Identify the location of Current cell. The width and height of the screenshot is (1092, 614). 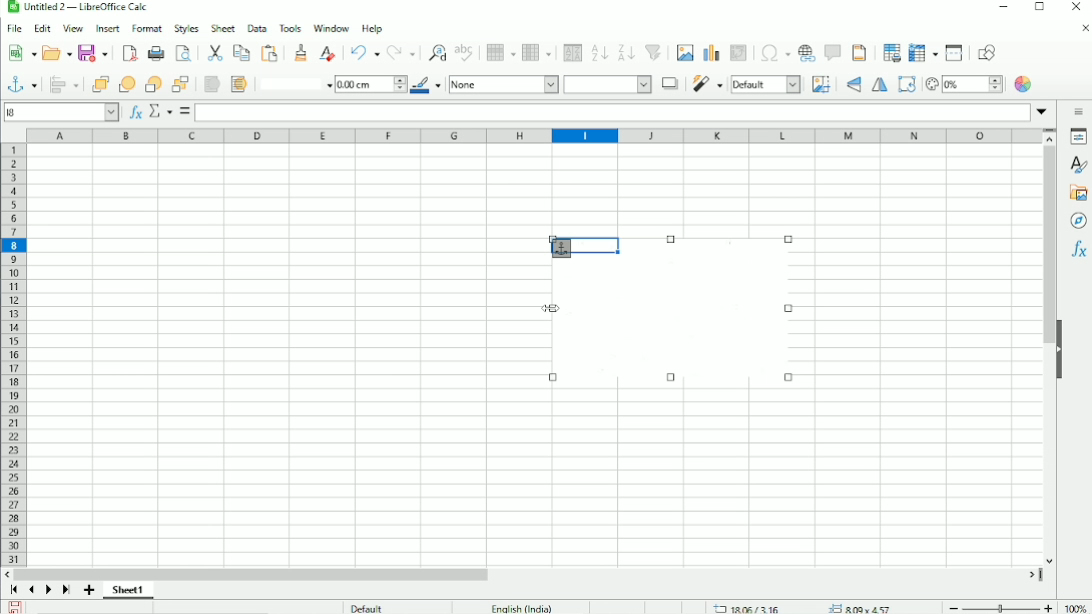
(62, 111).